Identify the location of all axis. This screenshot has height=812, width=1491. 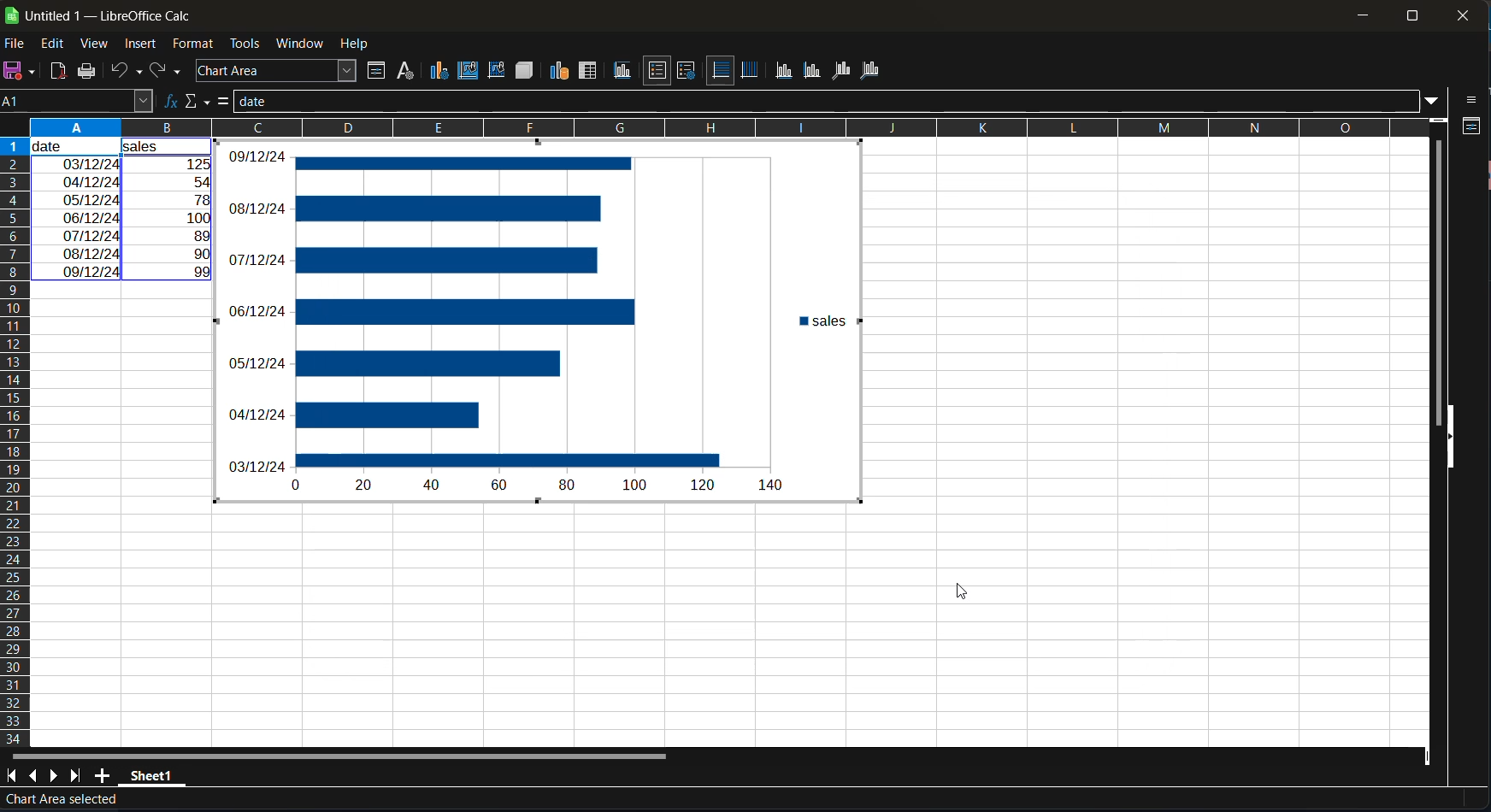
(873, 70).